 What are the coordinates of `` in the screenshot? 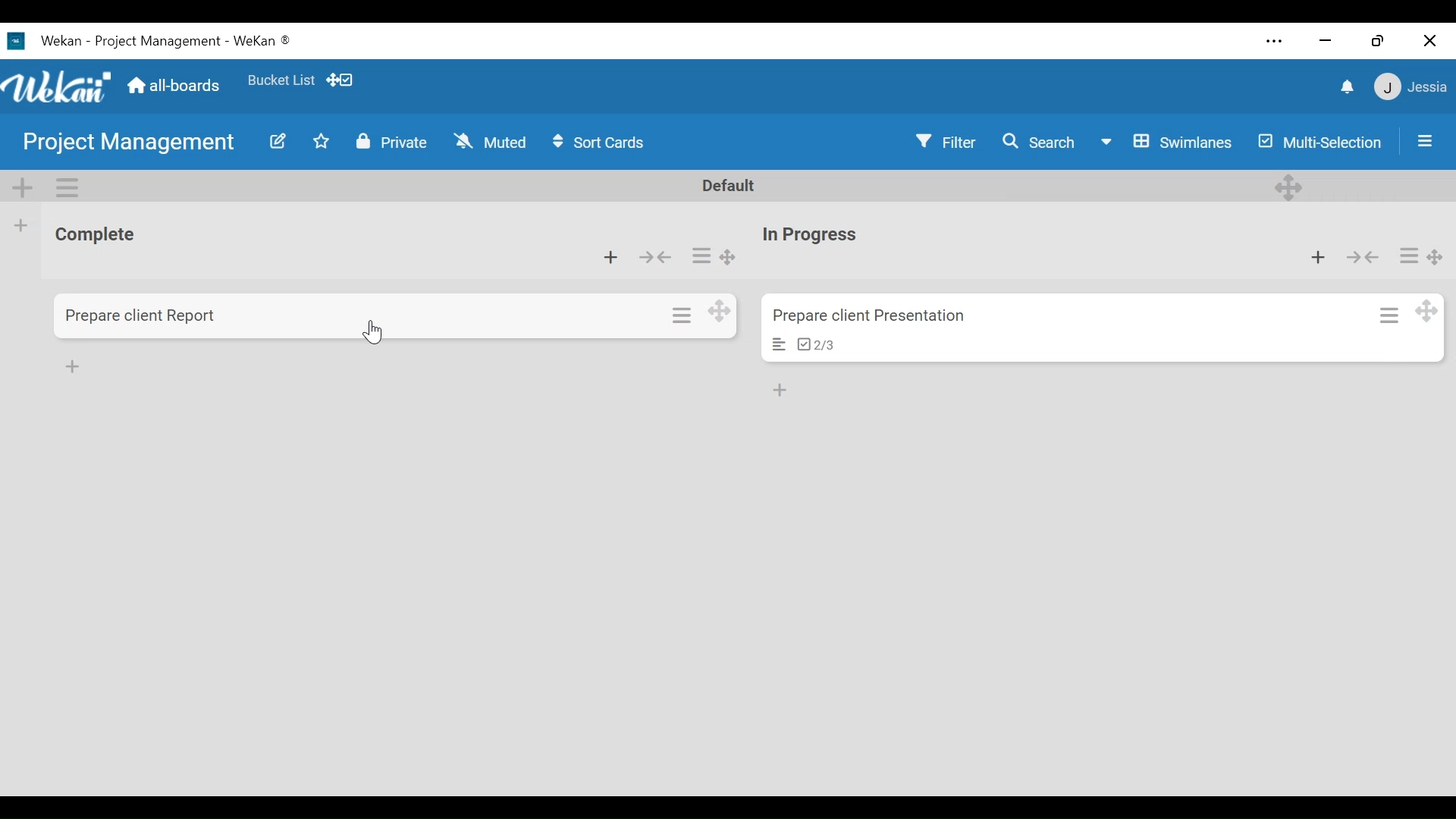 It's located at (602, 142).